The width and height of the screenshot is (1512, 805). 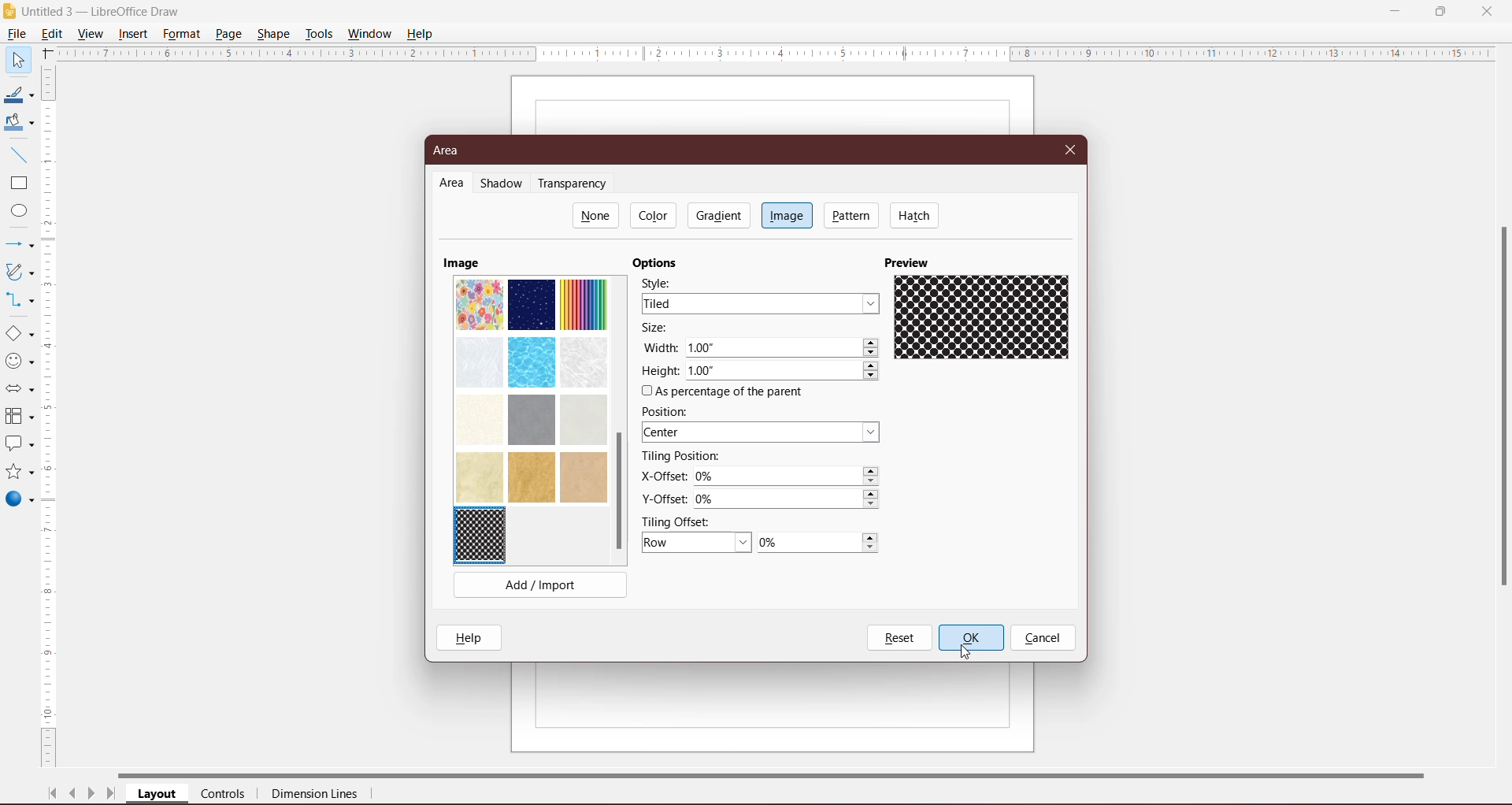 What do you see at coordinates (10, 12) in the screenshot?
I see `Application Logo` at bounding box center [10, 12].